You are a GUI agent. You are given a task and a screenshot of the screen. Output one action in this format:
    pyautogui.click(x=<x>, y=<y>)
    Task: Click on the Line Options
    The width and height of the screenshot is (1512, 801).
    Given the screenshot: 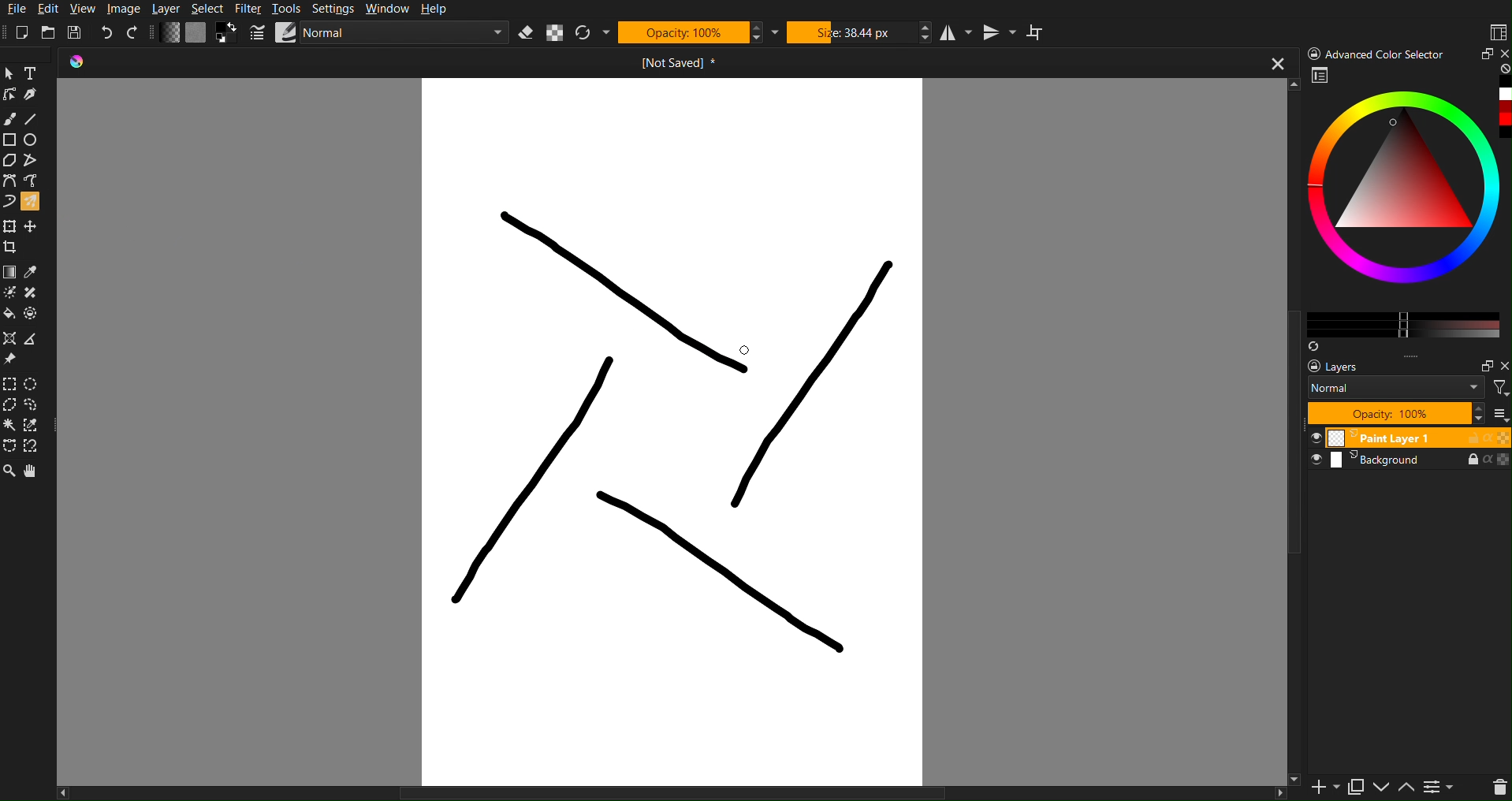 What is the action you would take?
    pyautogui.click(x=258, y=33)
    